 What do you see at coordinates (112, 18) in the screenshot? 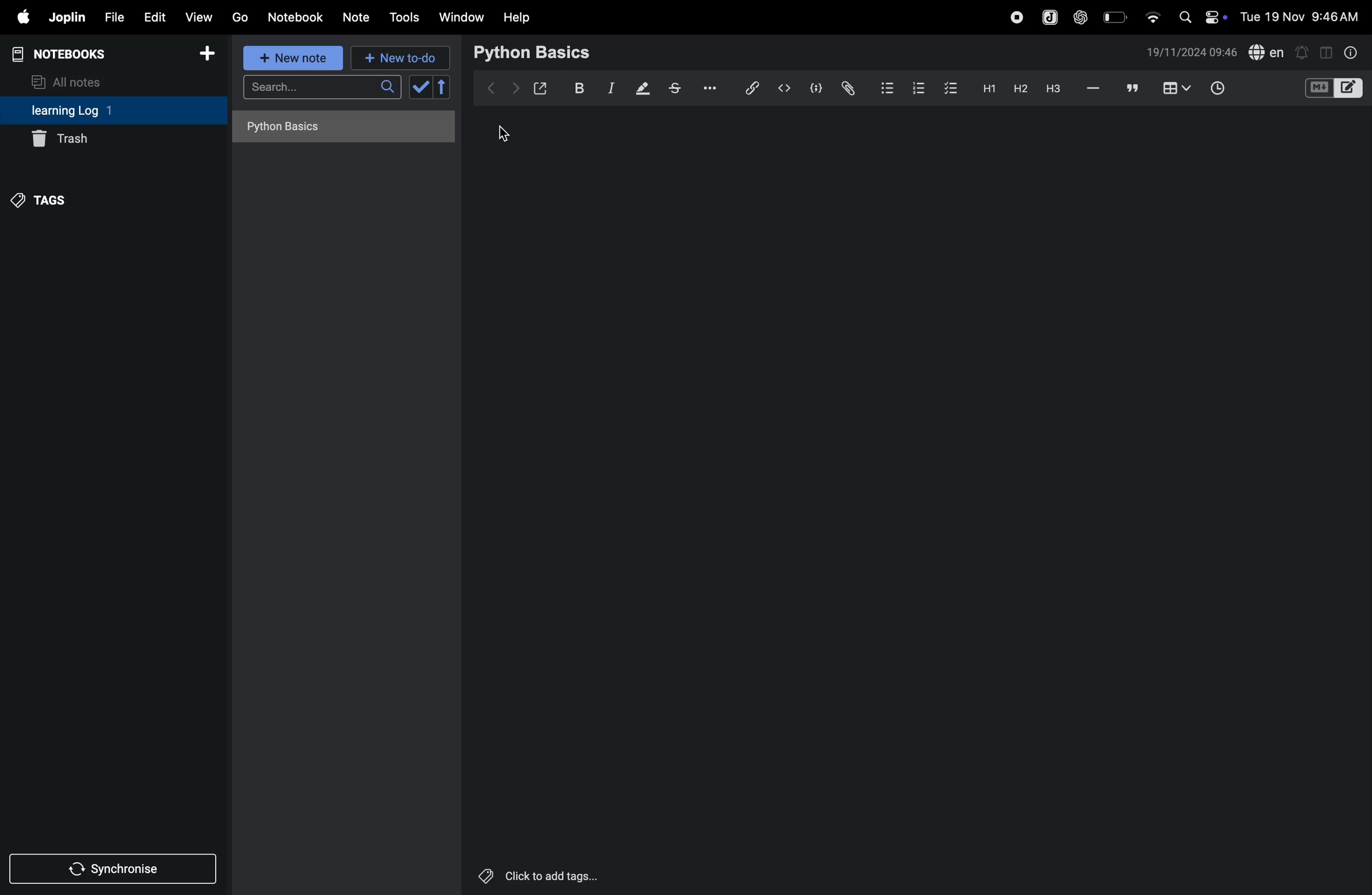
I see `file` at bounding box center [112, 18].